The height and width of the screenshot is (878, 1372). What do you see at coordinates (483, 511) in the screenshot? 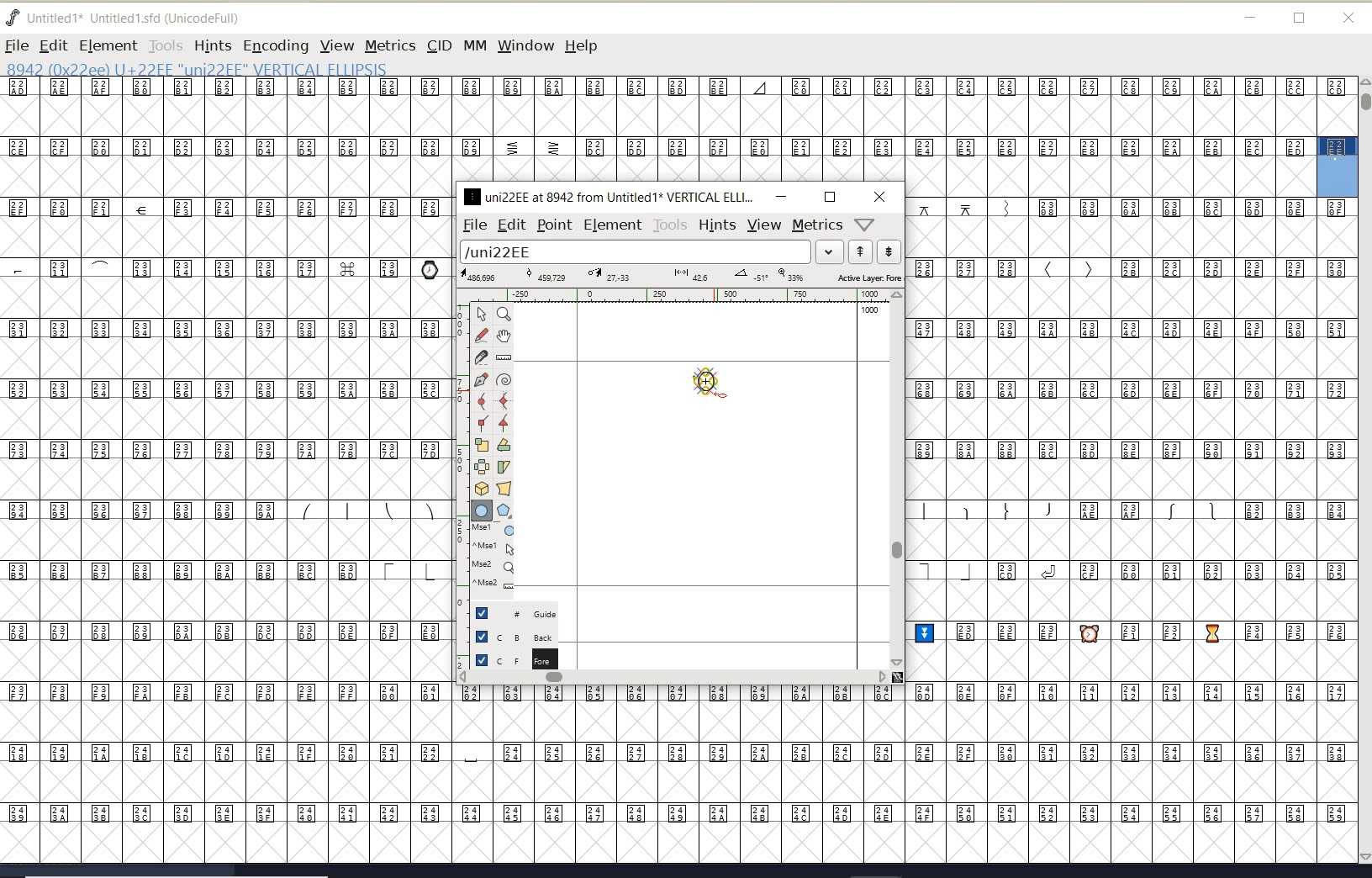
I see `rectangle or ellipse` at bounding box center [483, 511].